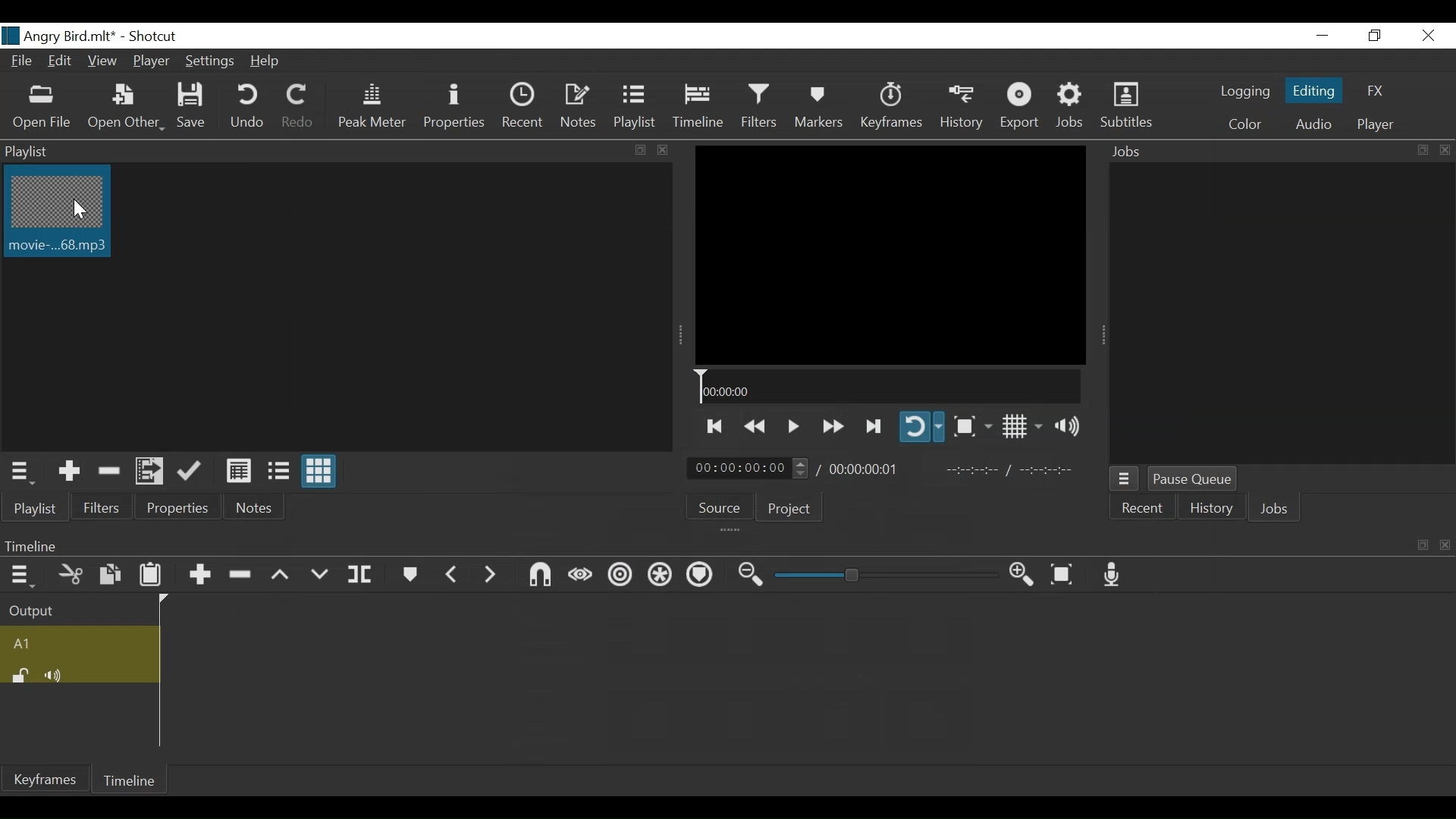 The width and height of the screenshot is (1456, 819). I want to click on Notes, so click(580, 106).